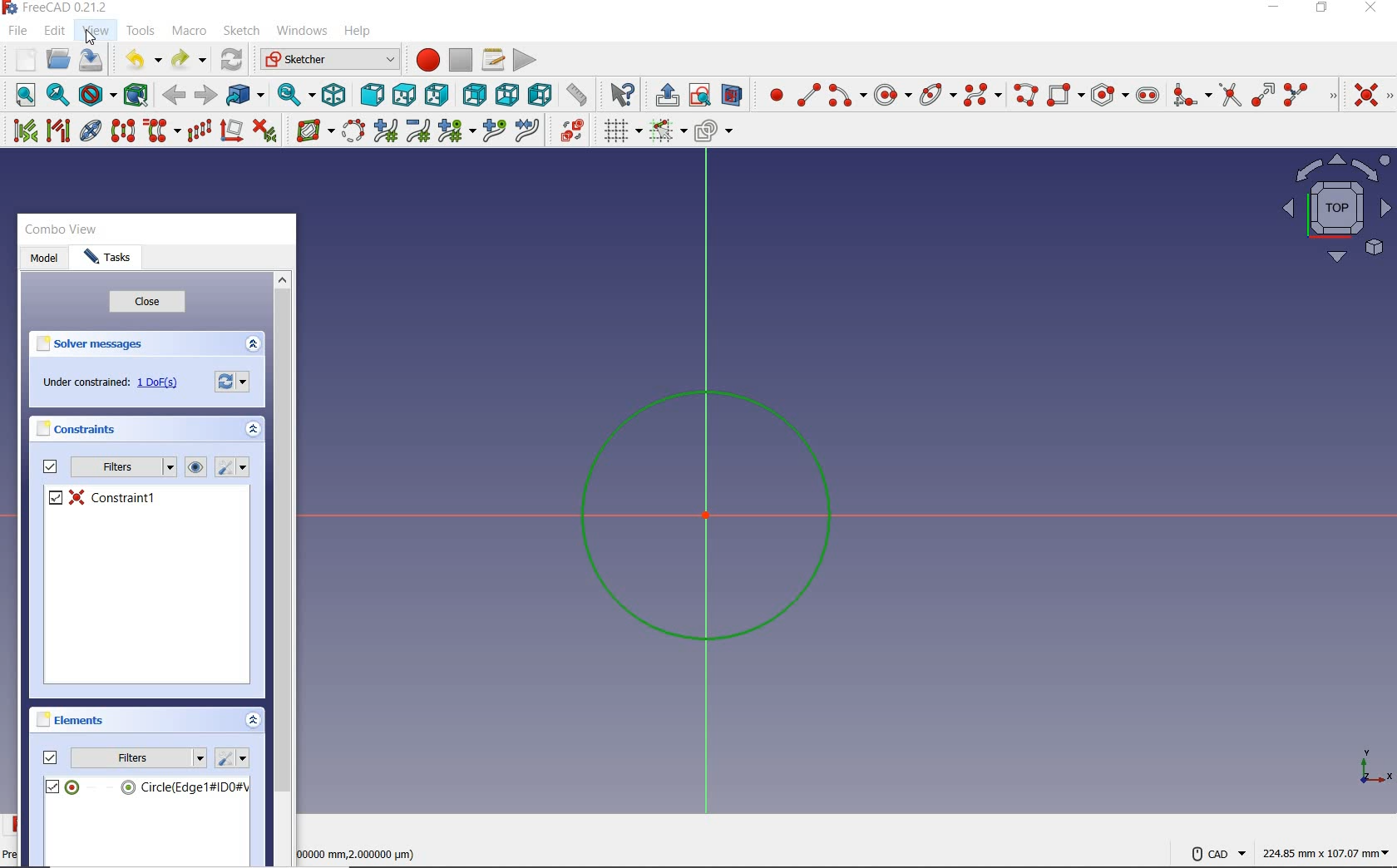 The image size is (1397, 868). I want to click on , so click(309, 131).